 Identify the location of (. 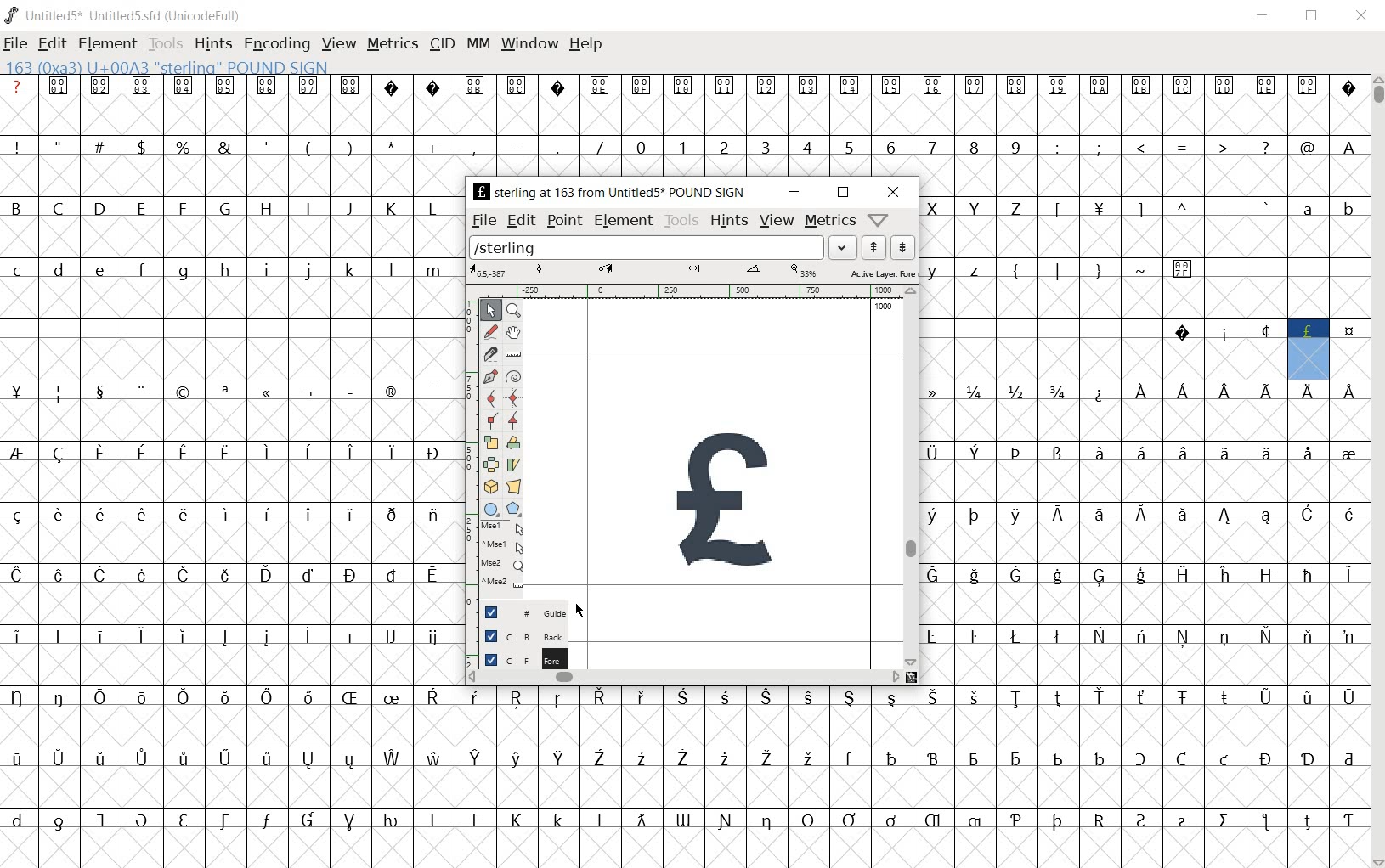
(309, 148).